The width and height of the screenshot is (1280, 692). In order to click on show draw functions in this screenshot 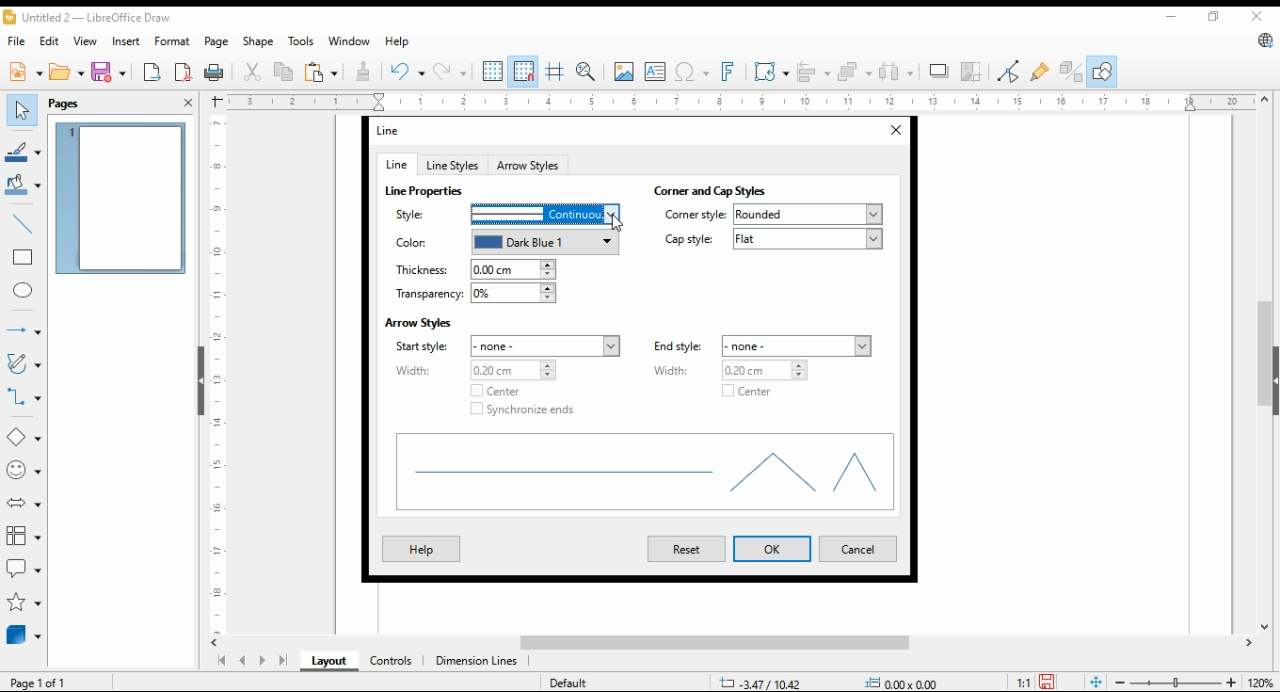, I will do `click(1100, 72)`.